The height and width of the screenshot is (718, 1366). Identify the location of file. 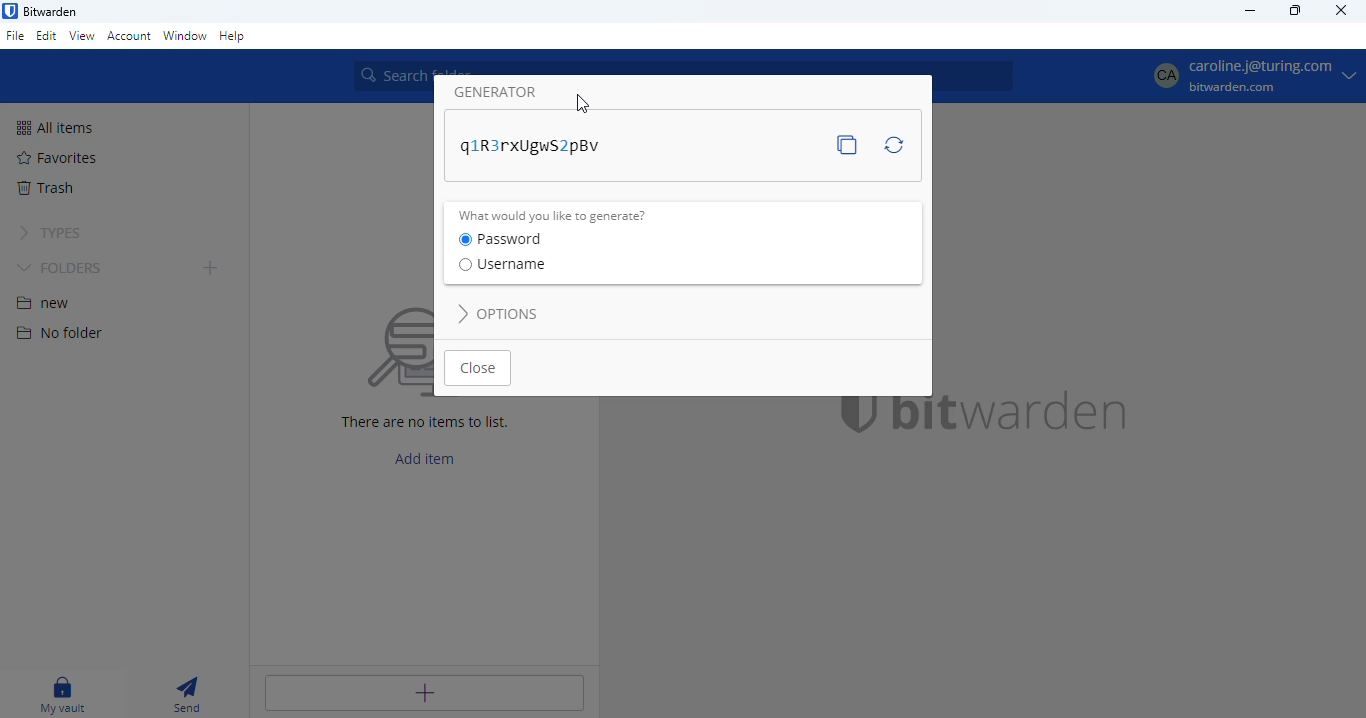
(15, 35).